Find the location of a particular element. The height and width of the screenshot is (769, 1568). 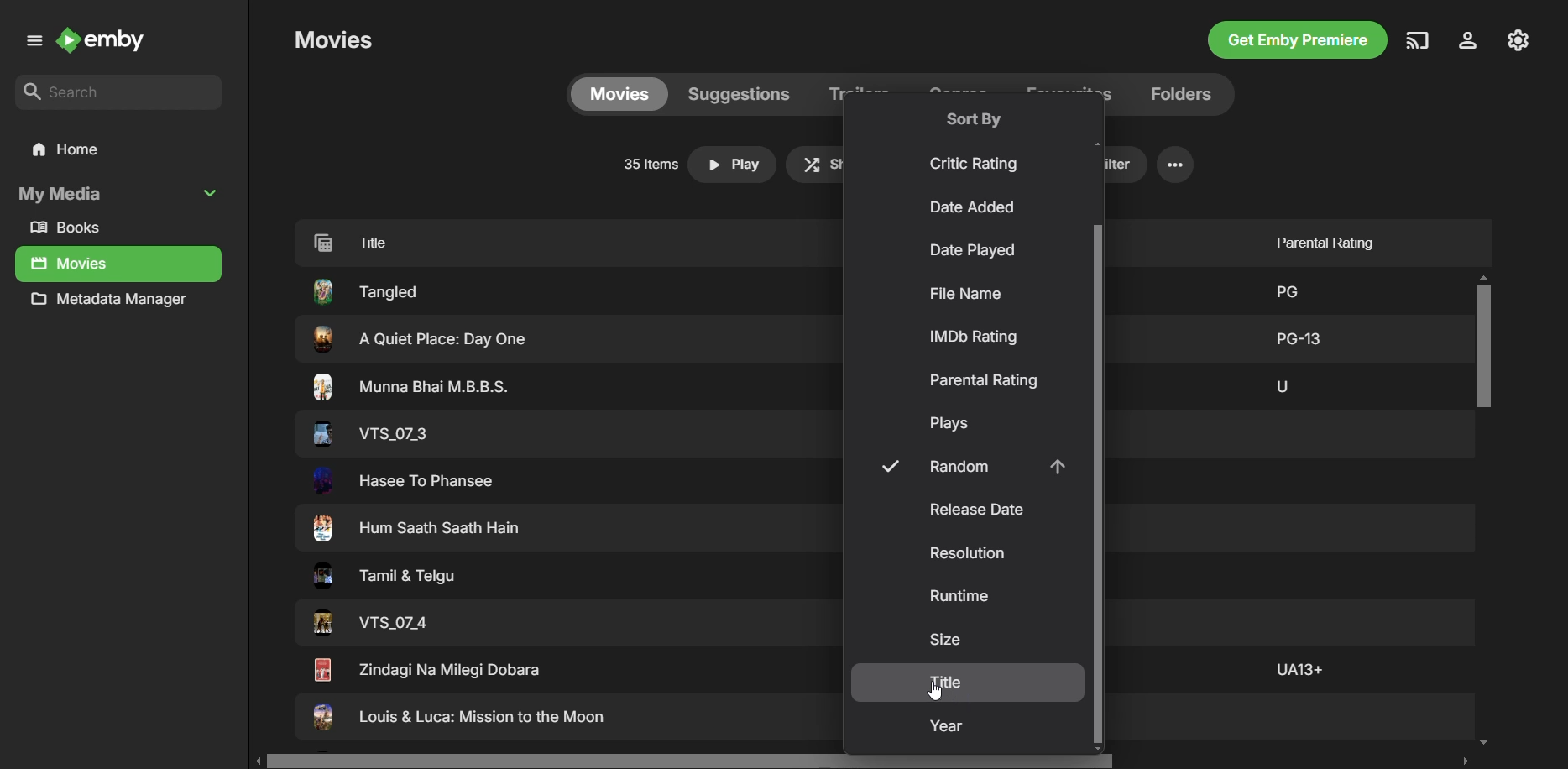

Title is located at coordinates (948, 682).